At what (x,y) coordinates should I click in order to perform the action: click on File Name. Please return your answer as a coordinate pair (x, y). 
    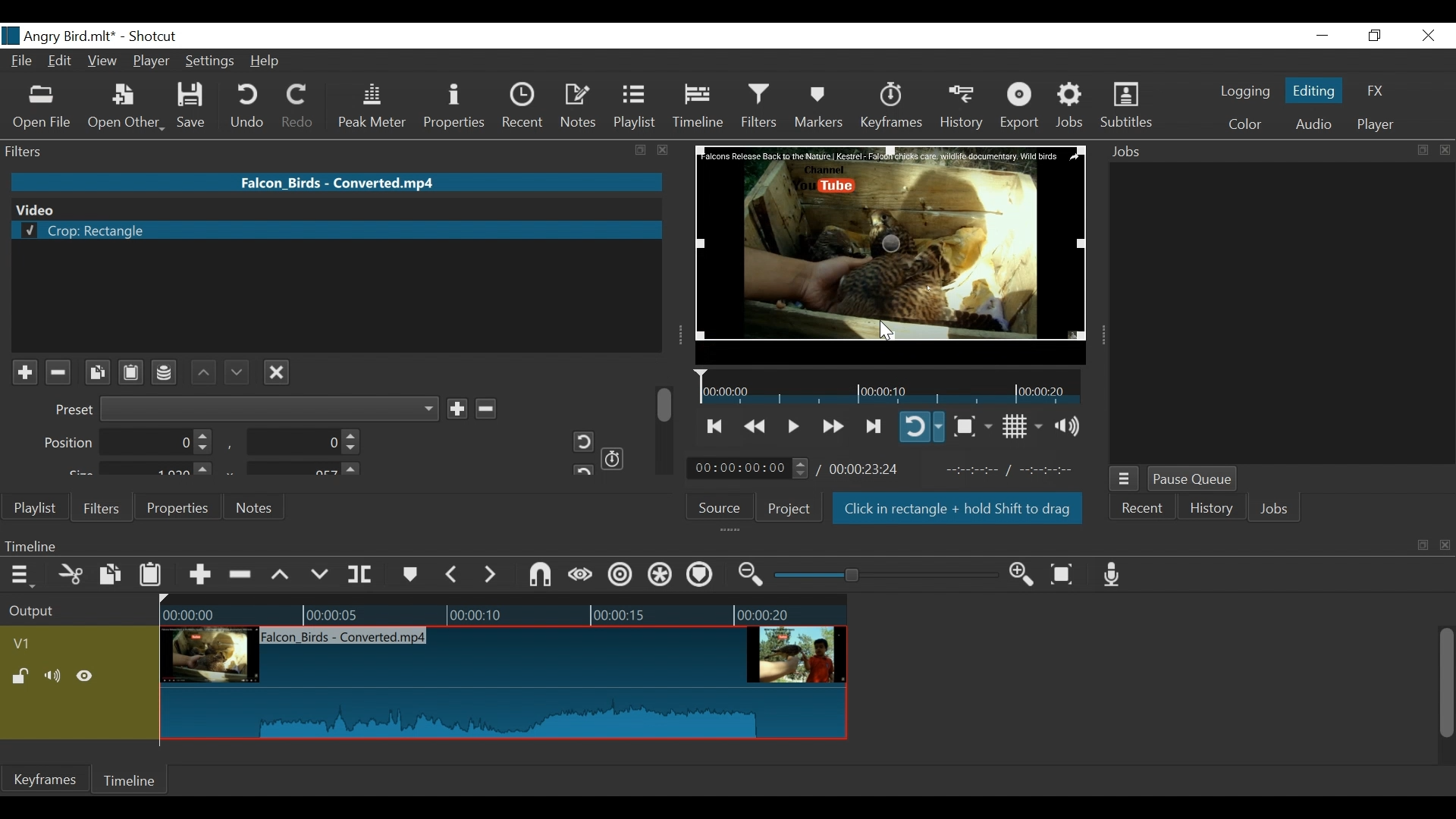
    Looking at the image, I should click on (339, 181).